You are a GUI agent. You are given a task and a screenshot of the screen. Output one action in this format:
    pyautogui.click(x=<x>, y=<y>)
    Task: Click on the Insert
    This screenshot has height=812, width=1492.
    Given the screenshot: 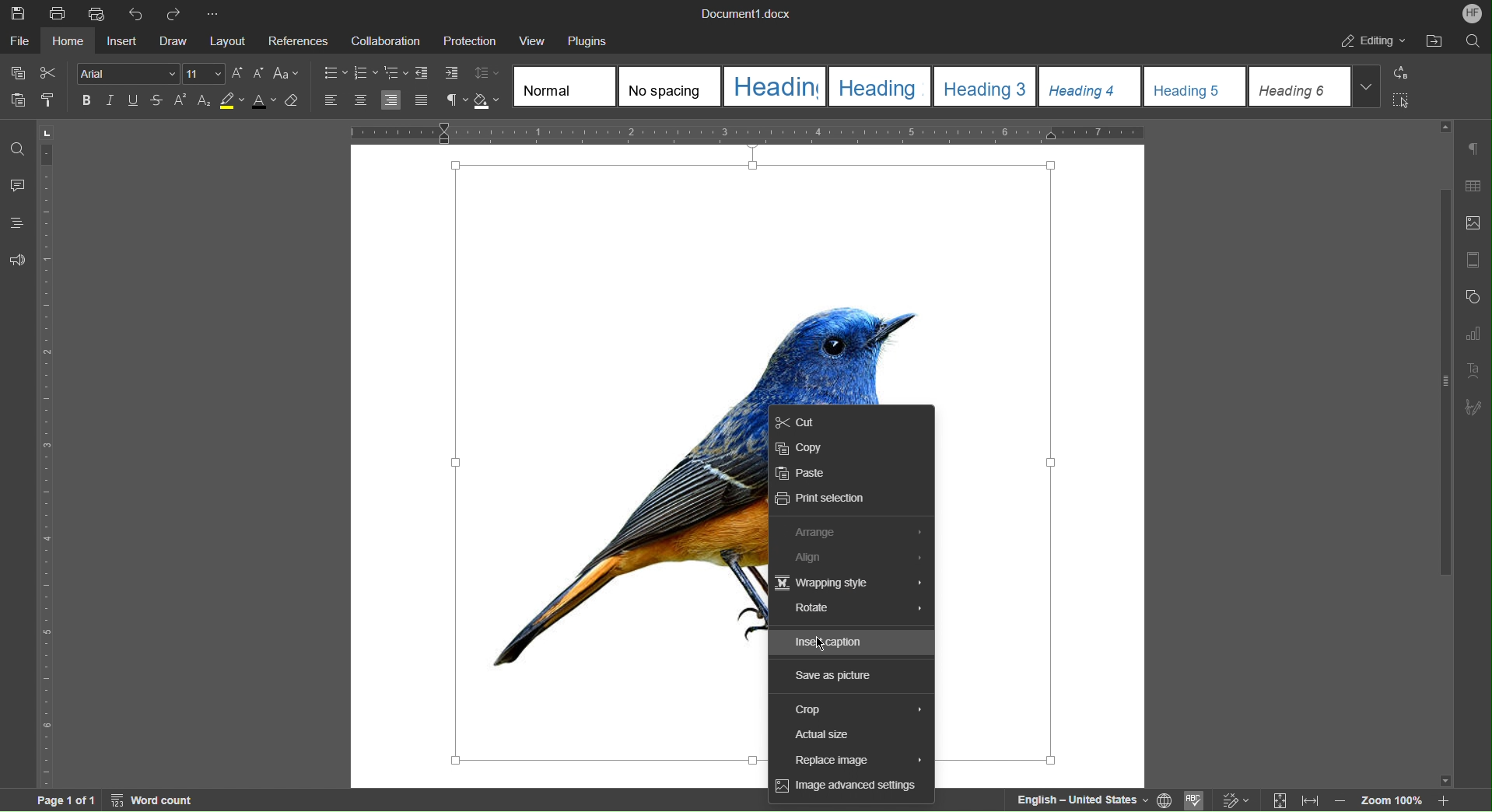 What is the action you would take?
    pyautogui.click(x=119, y=43)
    